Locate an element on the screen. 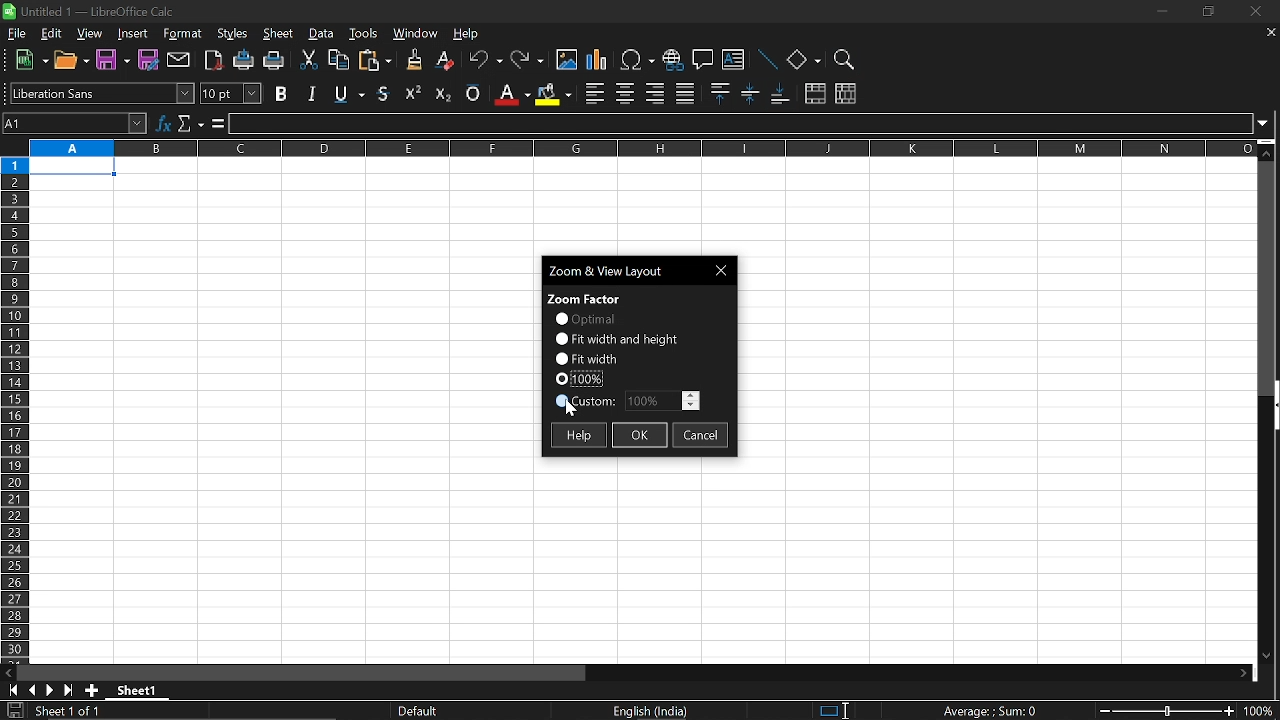 The height and width of the screenshot is (720, 1280). open is located at coordinates (73, 63).